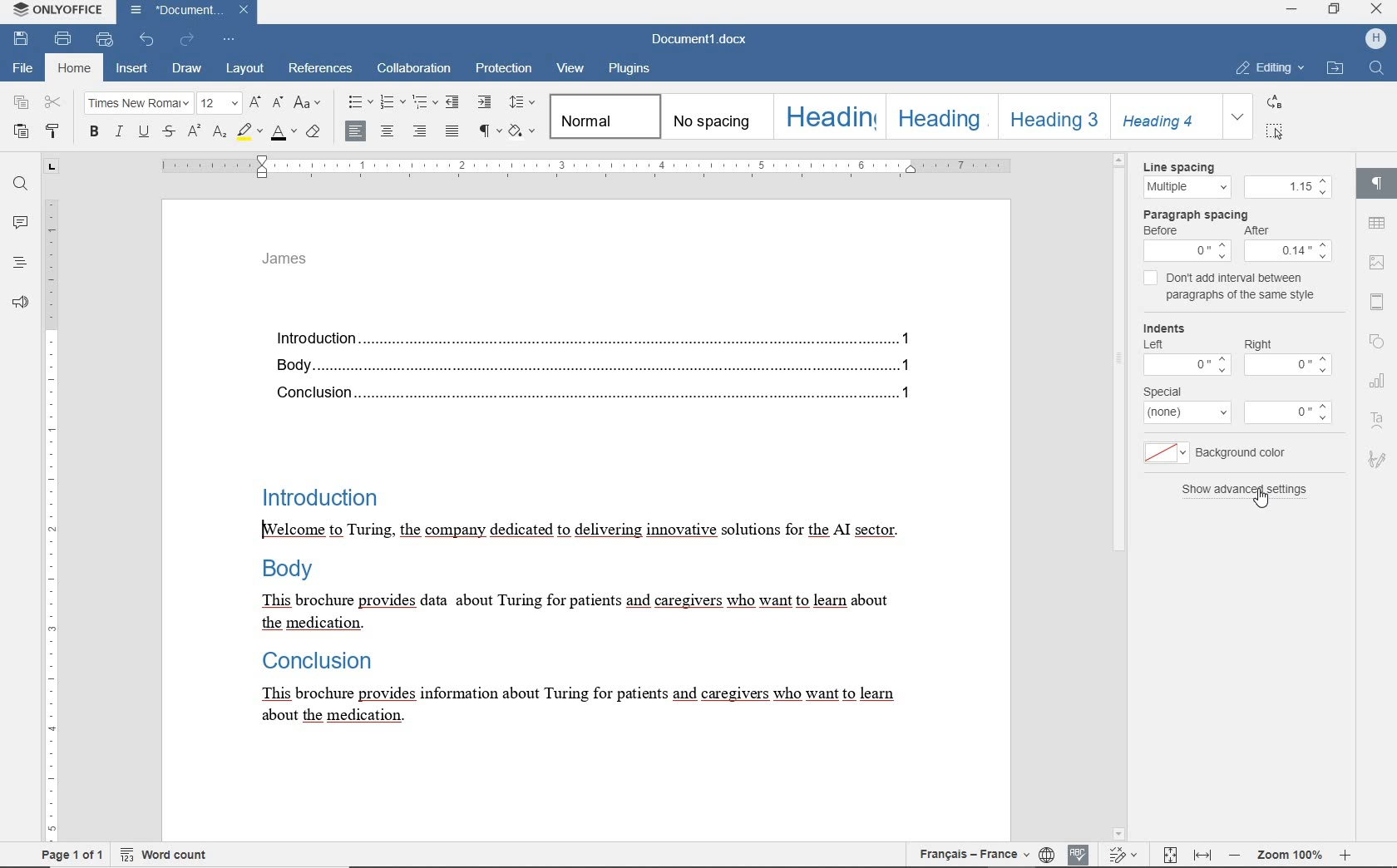 This screenshot has height=868, width=1397. What do you see at coordinates (1379, 303) in the screenshot?
I see `header and footer` at bounding box center [1379, 303].